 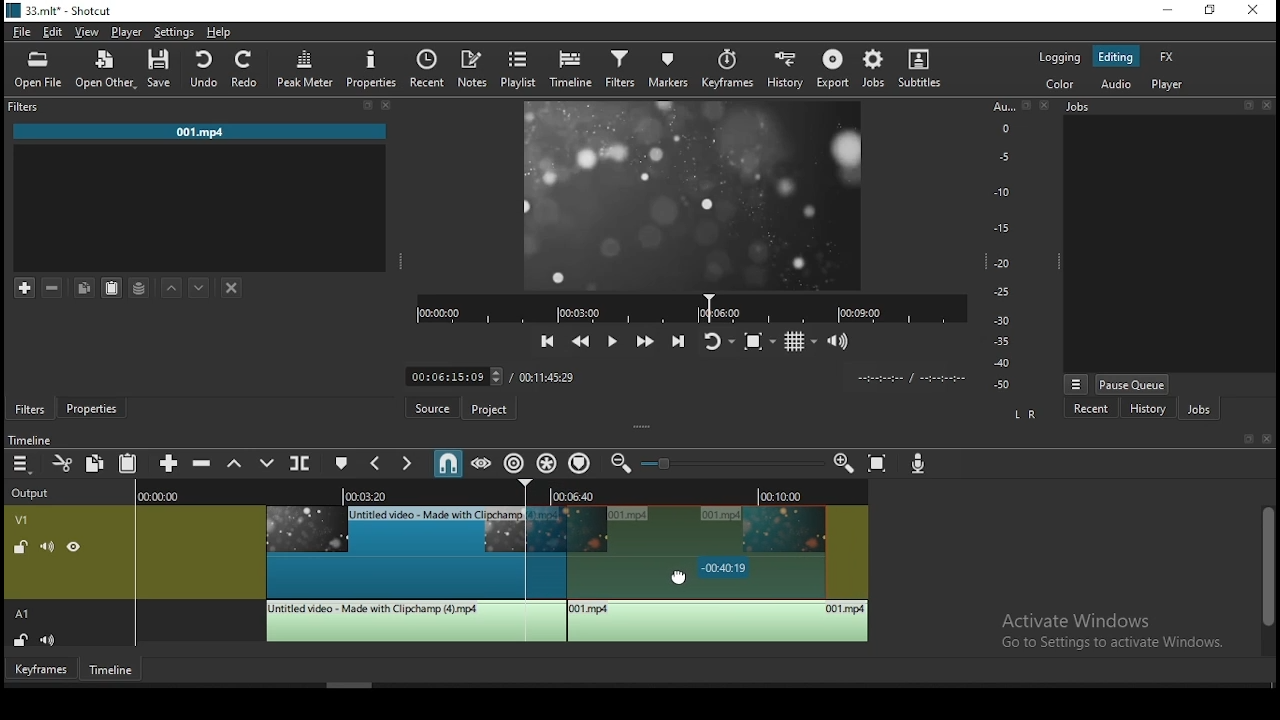 I want to click on track duration, so click(x=546, y=376).